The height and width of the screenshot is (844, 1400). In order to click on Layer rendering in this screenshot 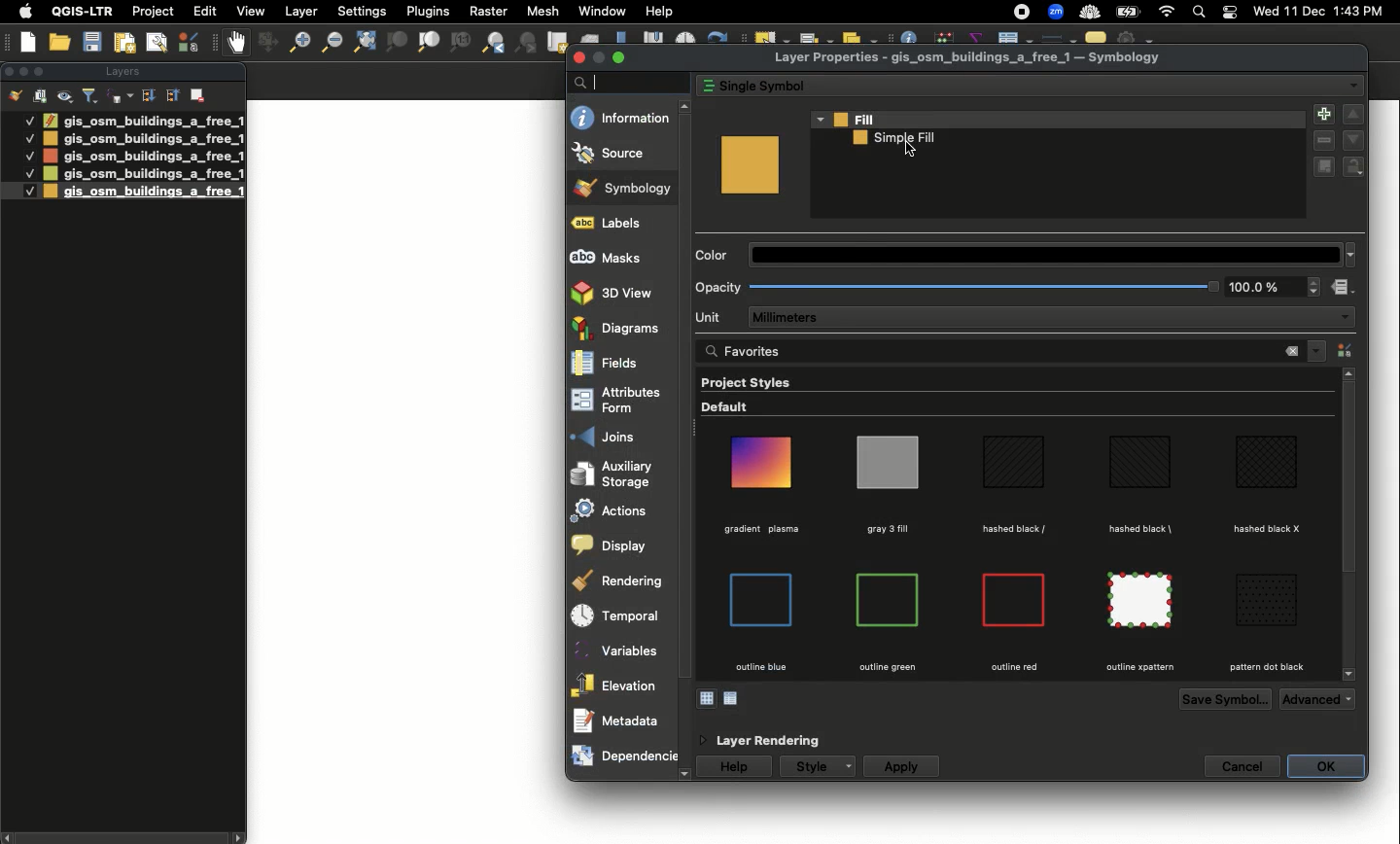, I will do `click(775, 741)`.